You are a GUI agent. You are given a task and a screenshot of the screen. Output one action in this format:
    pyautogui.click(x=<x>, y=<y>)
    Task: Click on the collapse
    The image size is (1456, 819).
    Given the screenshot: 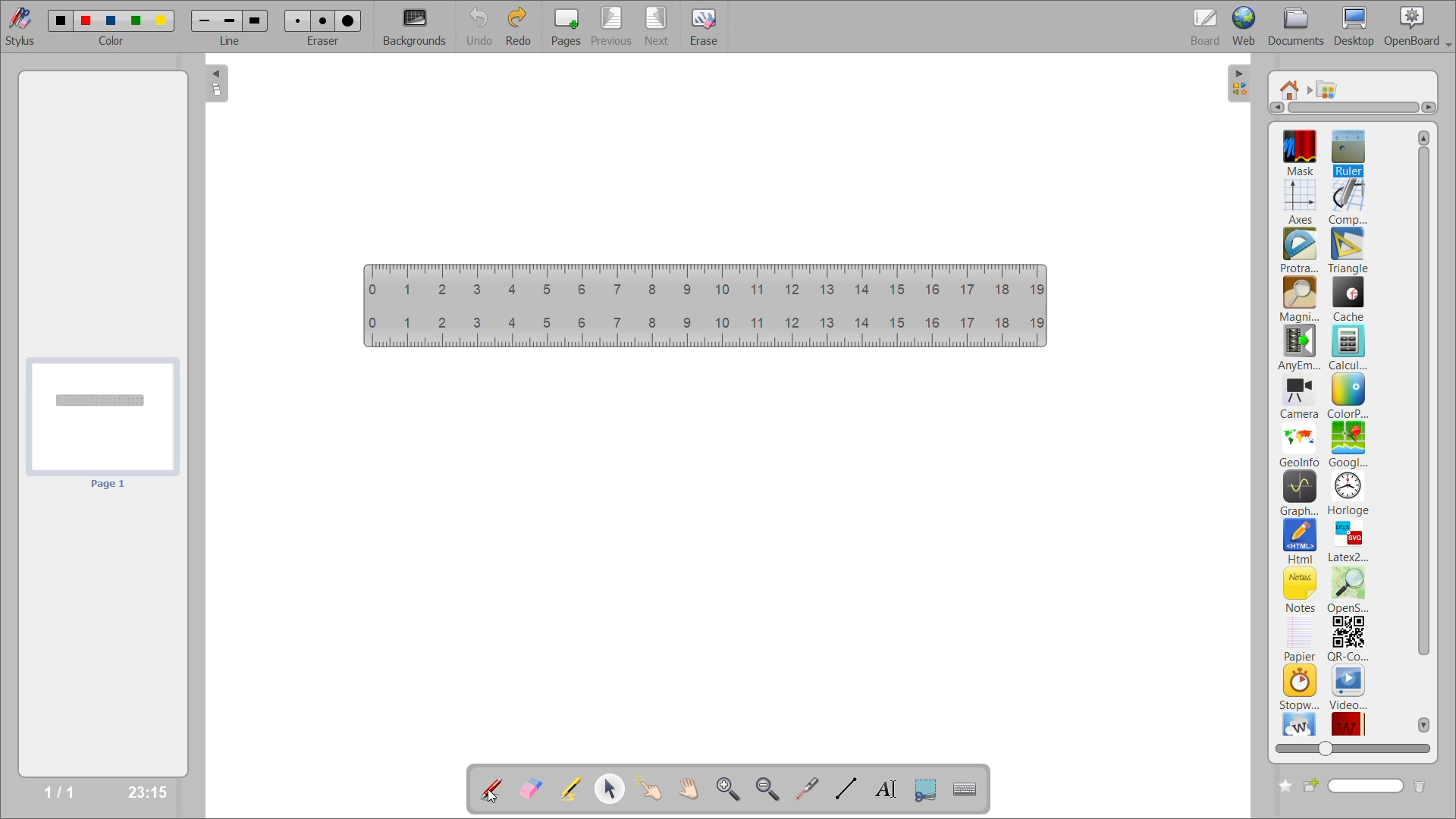 What is the action you would take?
    pyautogui.click(x=1241, y=84)
    